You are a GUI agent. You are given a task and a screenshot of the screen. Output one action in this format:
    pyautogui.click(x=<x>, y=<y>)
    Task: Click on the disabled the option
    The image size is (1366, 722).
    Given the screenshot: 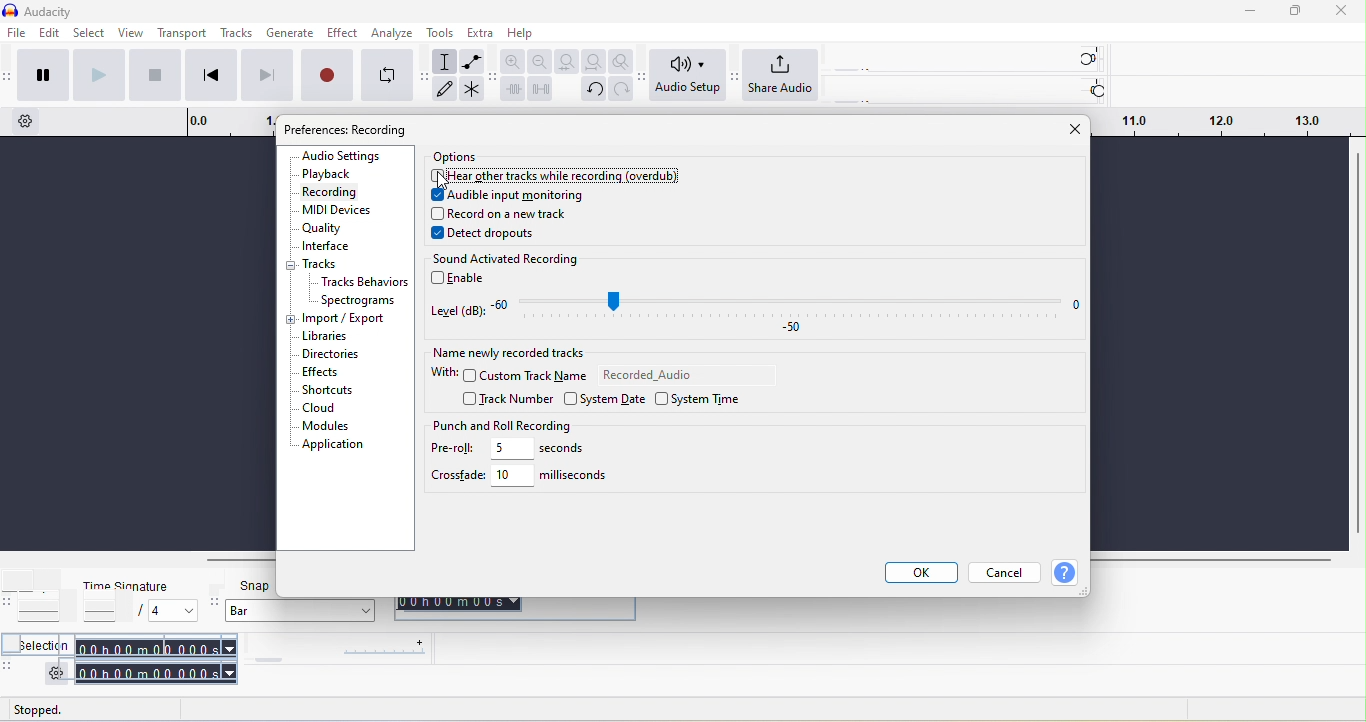 What is the action you would take?
    pyautogui.click(x=561, y=175)
    